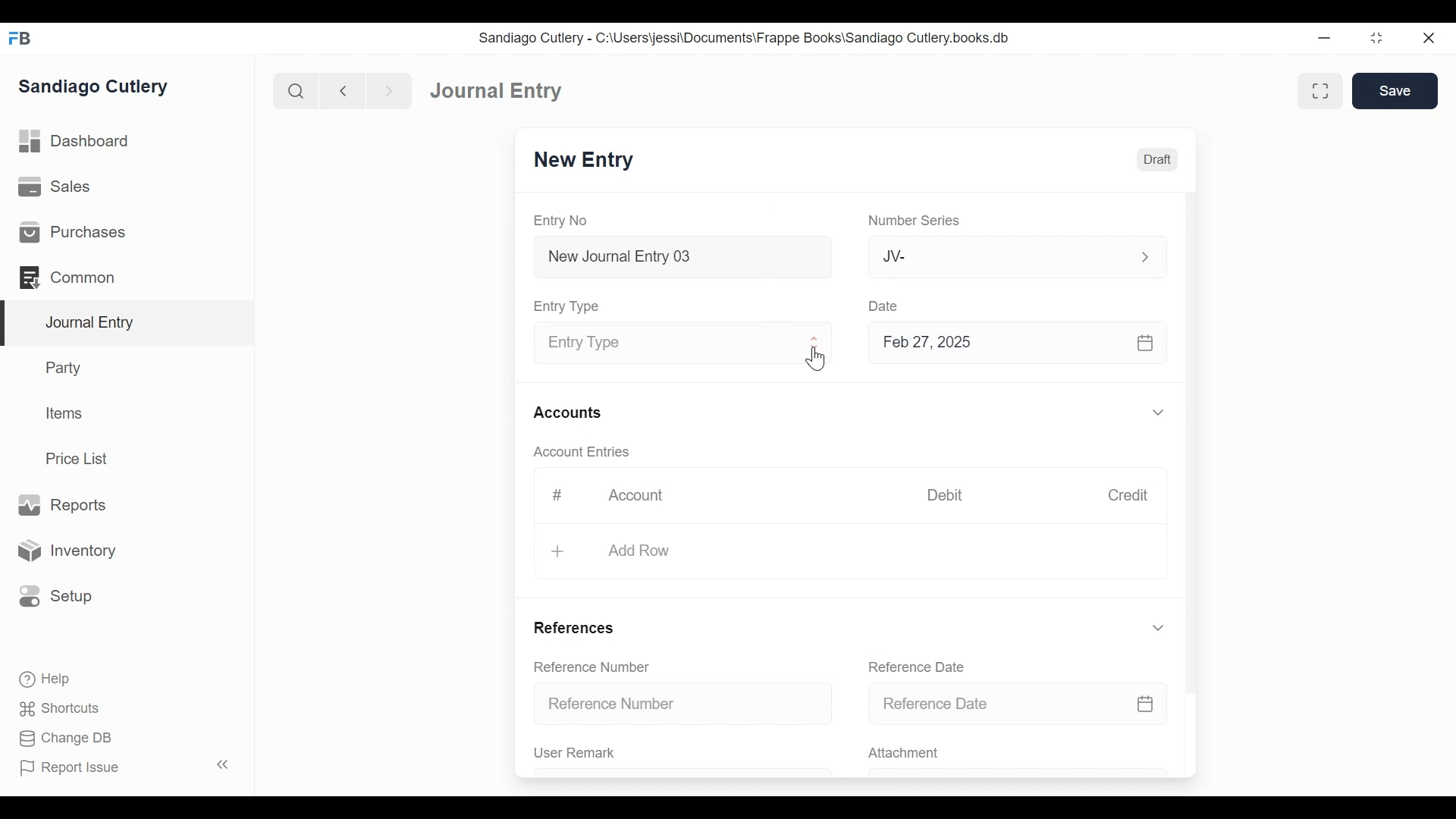 Image resolution: width=1456 pixels, height=819 pixels. Describe the element at coordinates (294, 90) in the screenshot. I see `Search` at that location.